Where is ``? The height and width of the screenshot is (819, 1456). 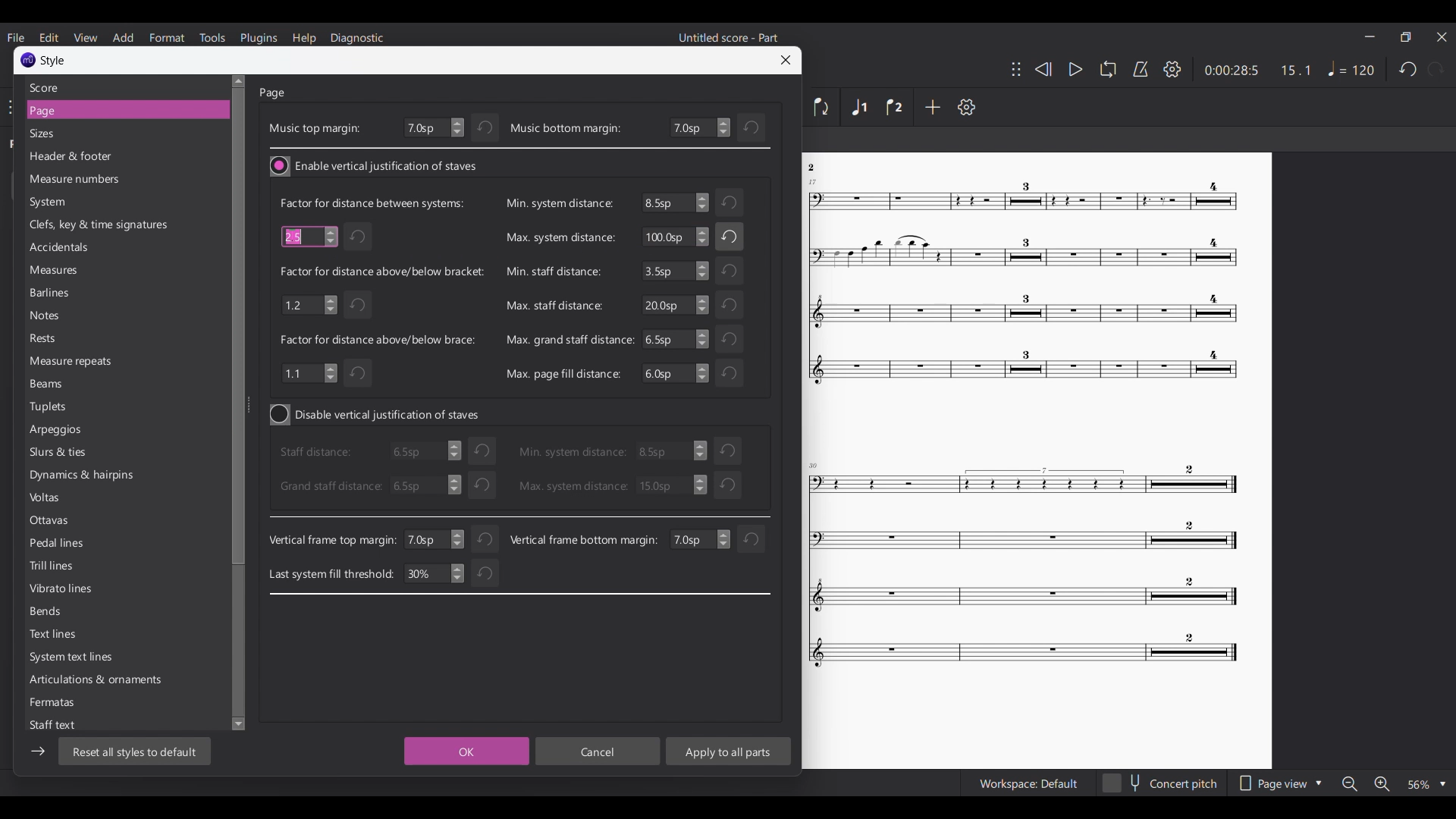
 is located at coordinates (1021, 570).